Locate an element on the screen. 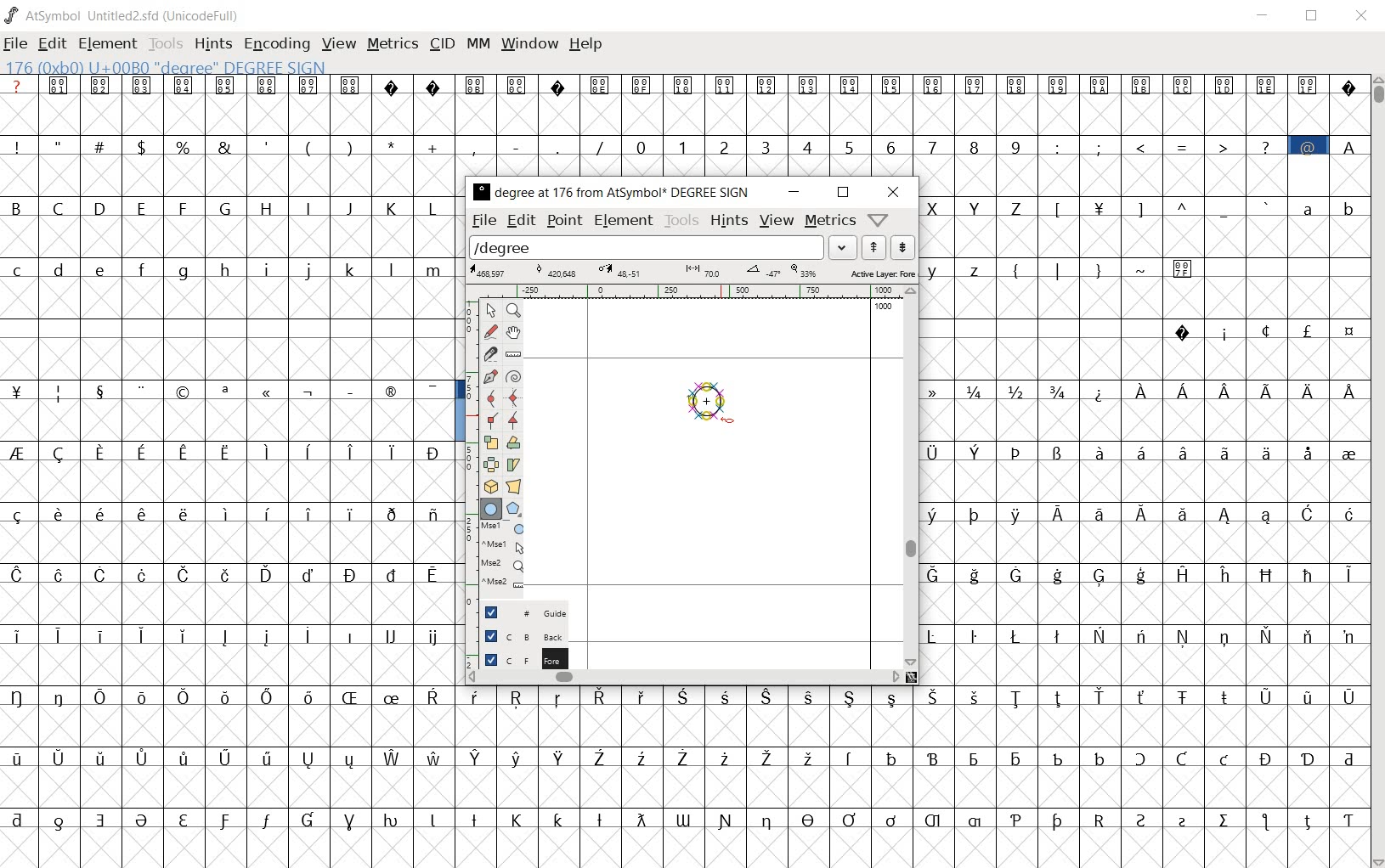  hints is located at coordinates (212, 44).